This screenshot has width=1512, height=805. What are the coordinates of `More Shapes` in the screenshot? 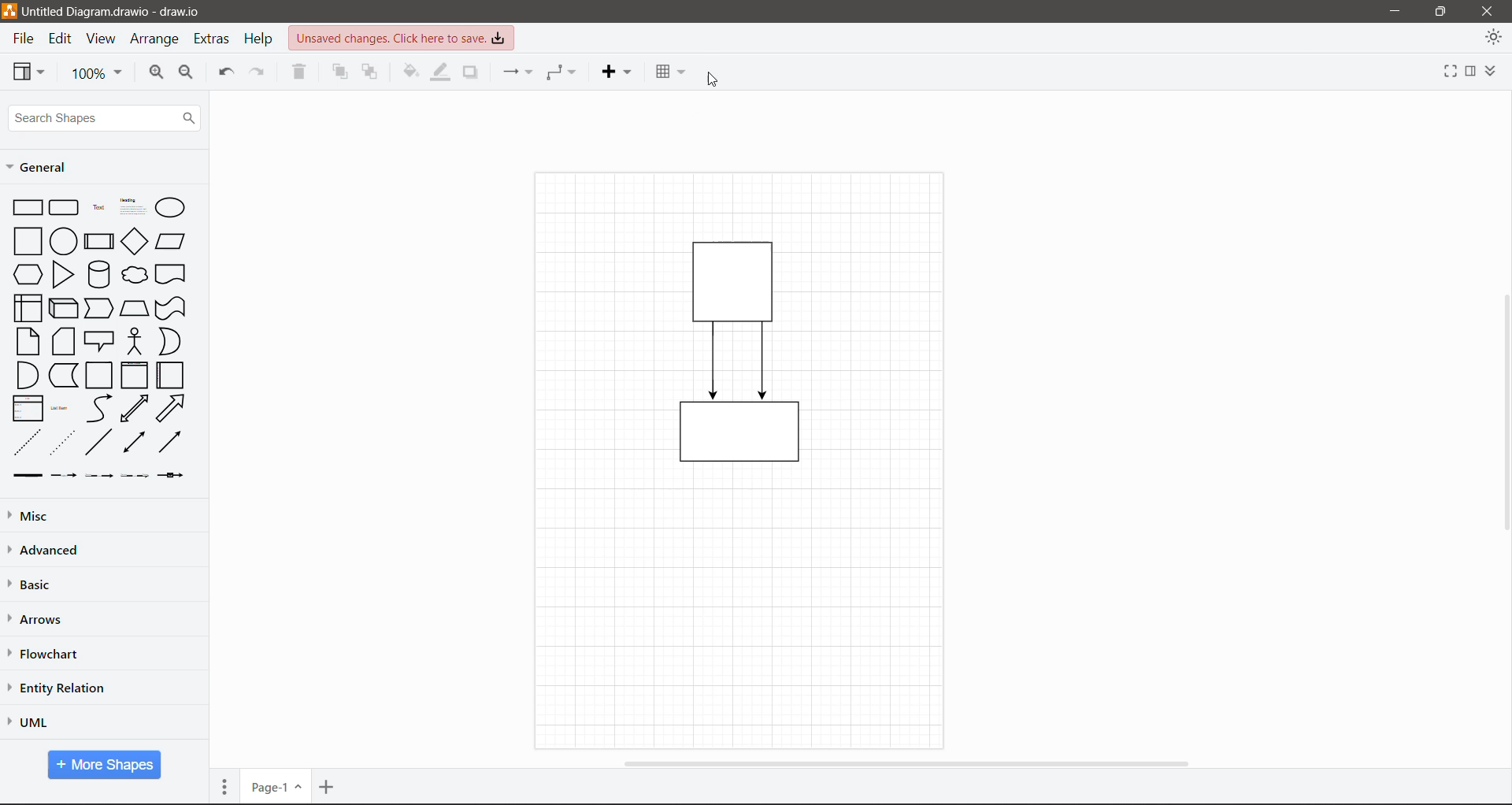 It's located at (105, 765).